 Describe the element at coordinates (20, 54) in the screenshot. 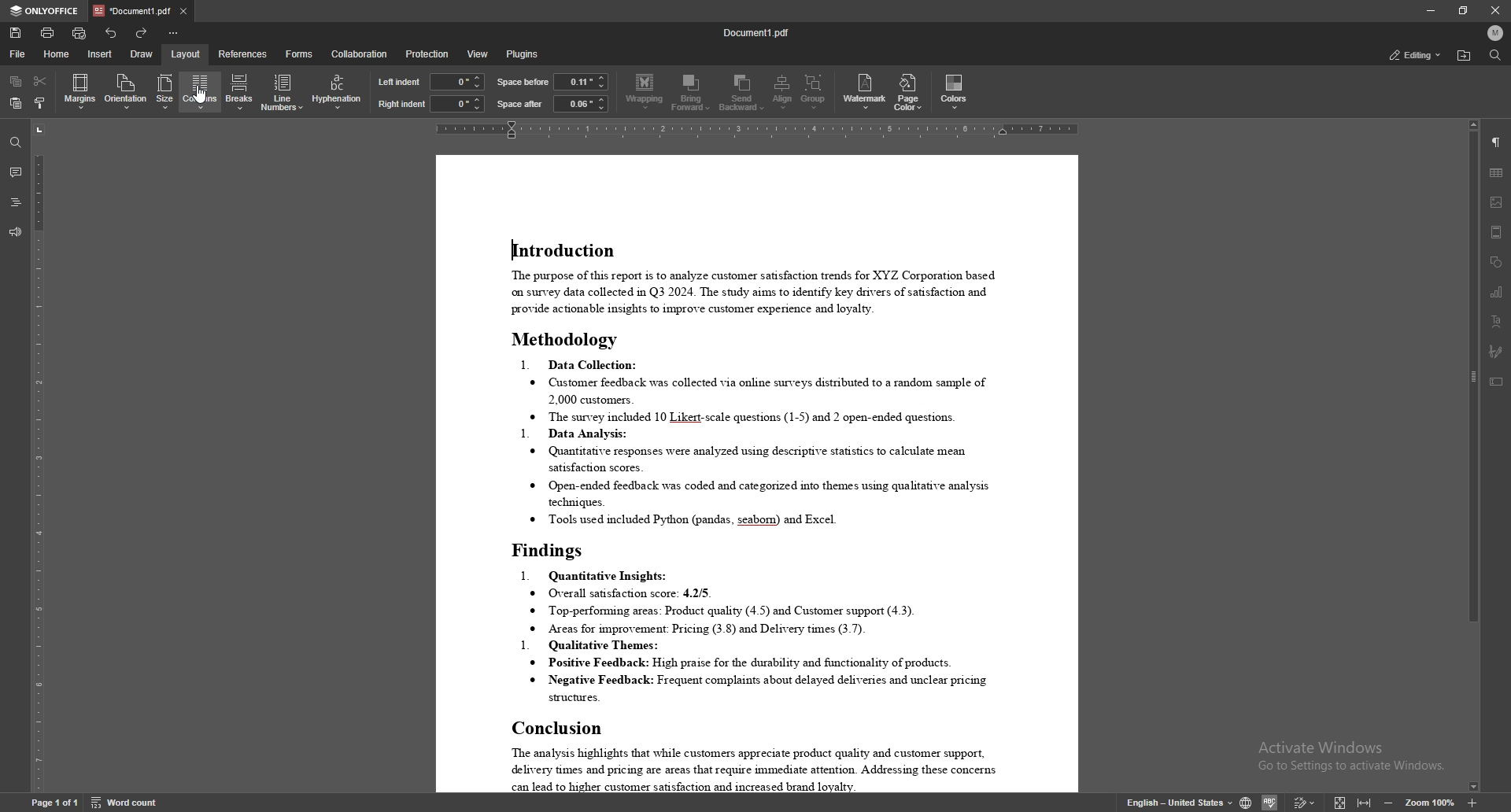

I see `file` at that location.